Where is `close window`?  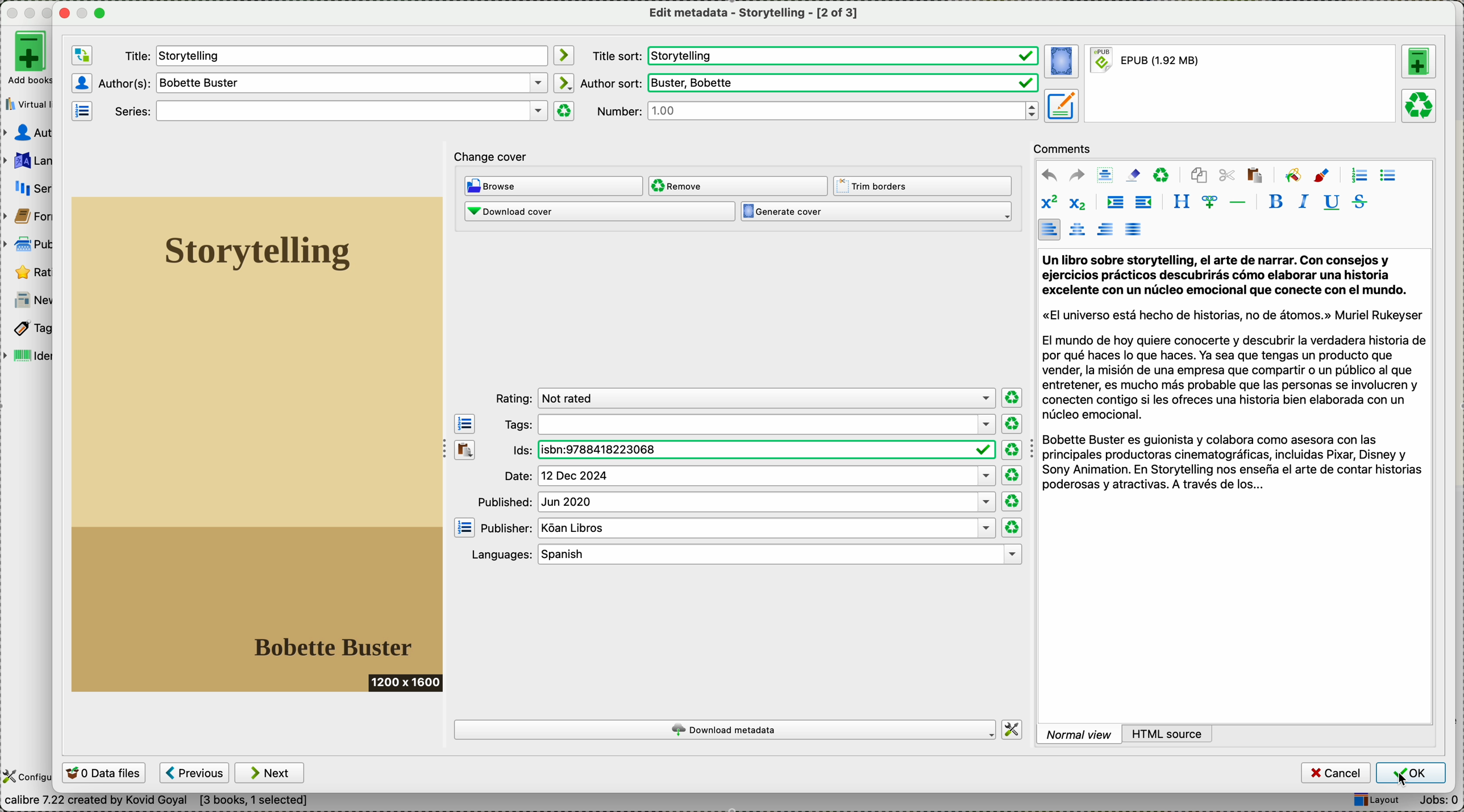 close window is located at coordinates (61, 14).